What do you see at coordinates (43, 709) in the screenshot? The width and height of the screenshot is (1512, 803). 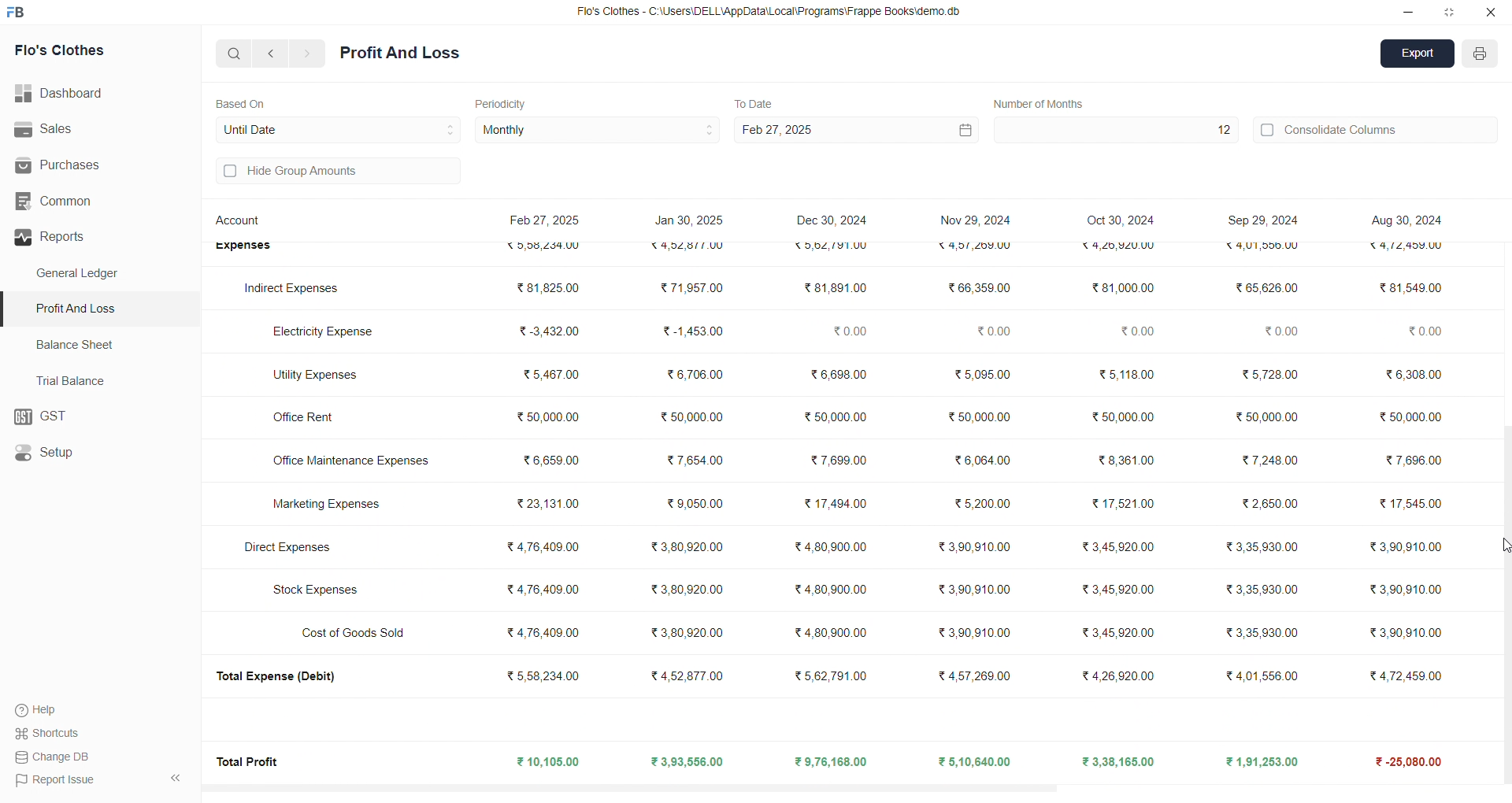 I see `Help` at bounding box center [43, 709].